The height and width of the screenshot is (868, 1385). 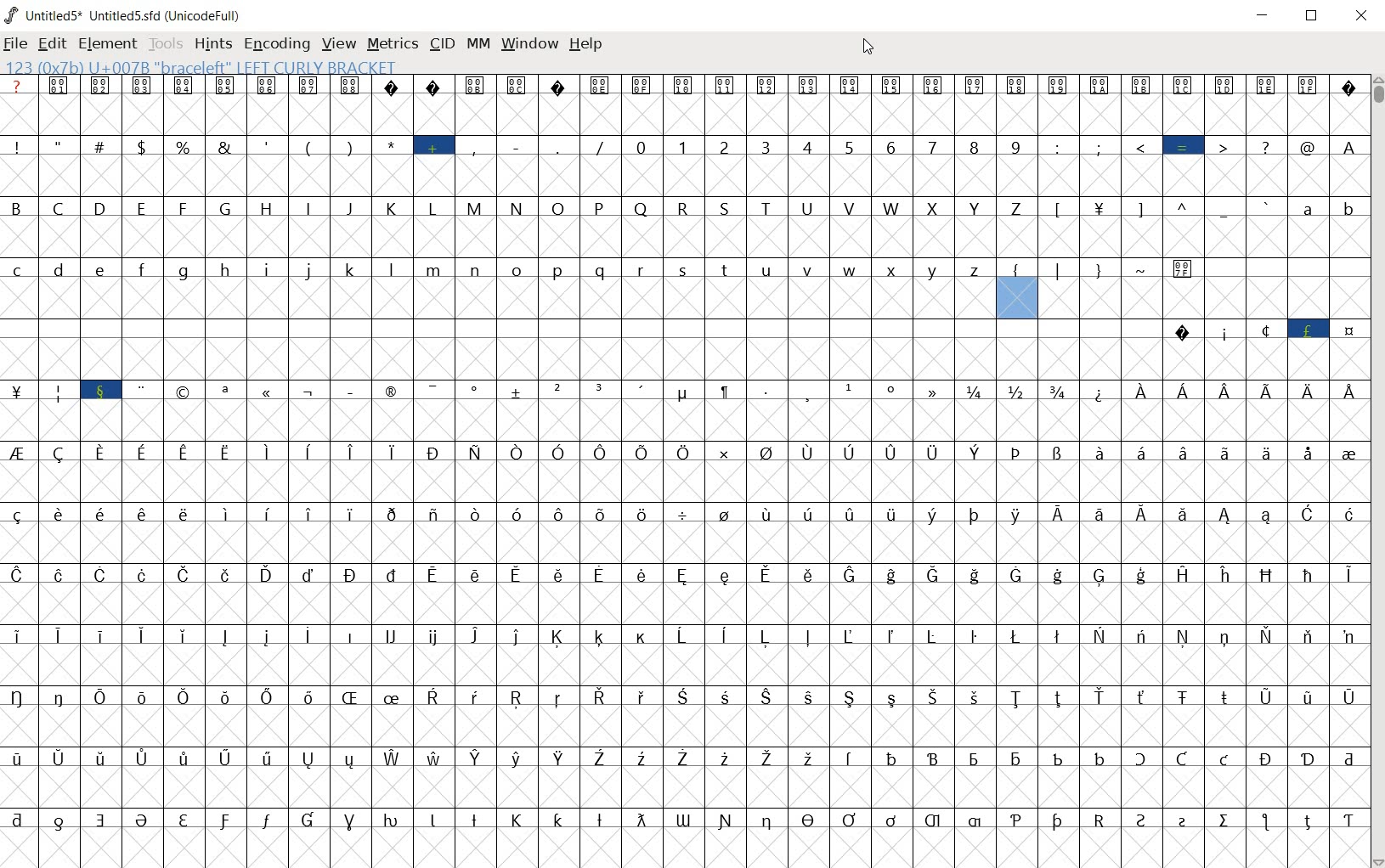 I want to click on encoding, so click(x=276, y=42).